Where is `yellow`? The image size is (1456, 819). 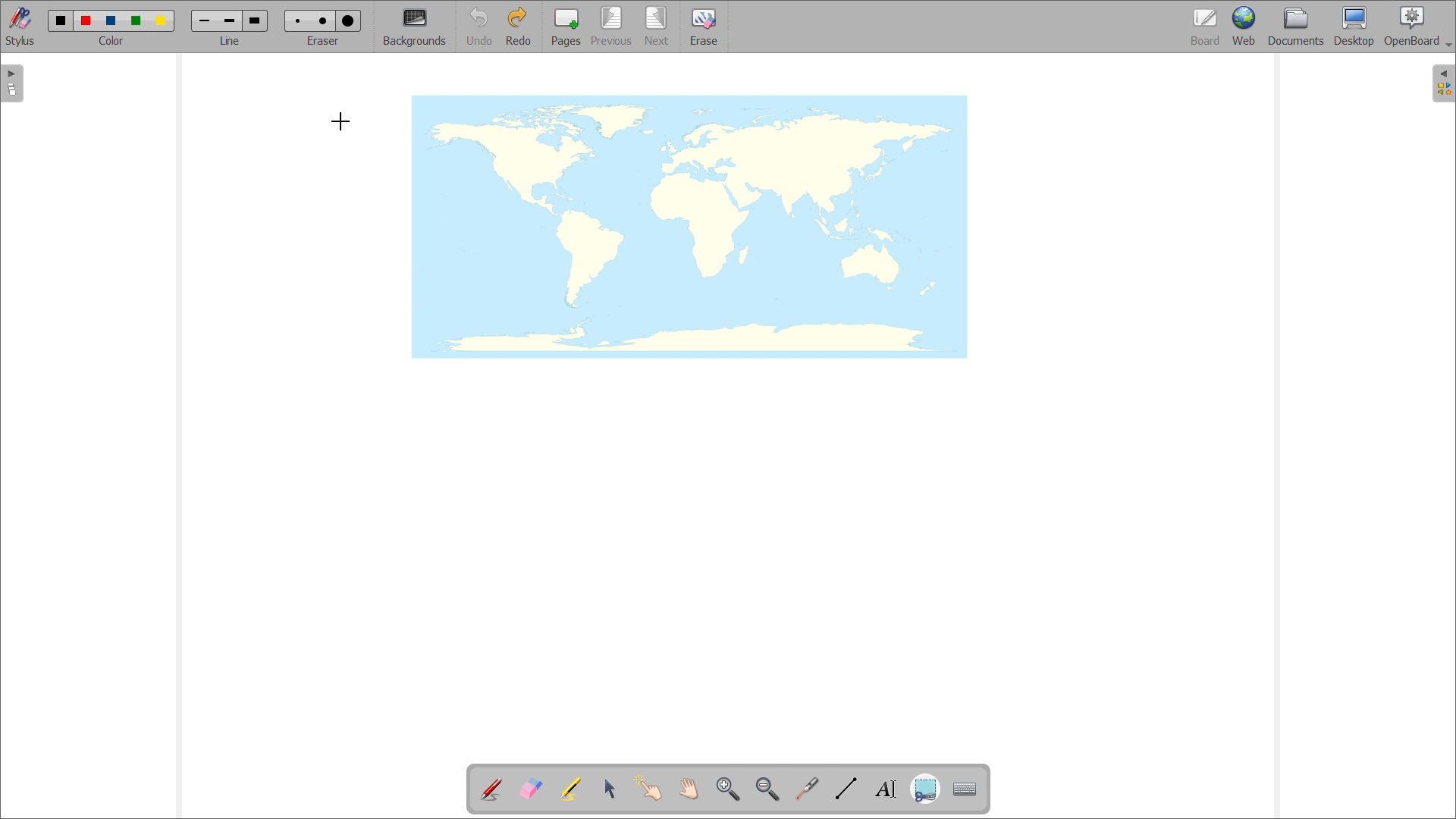
yellow is located at coordinates (163, 21).